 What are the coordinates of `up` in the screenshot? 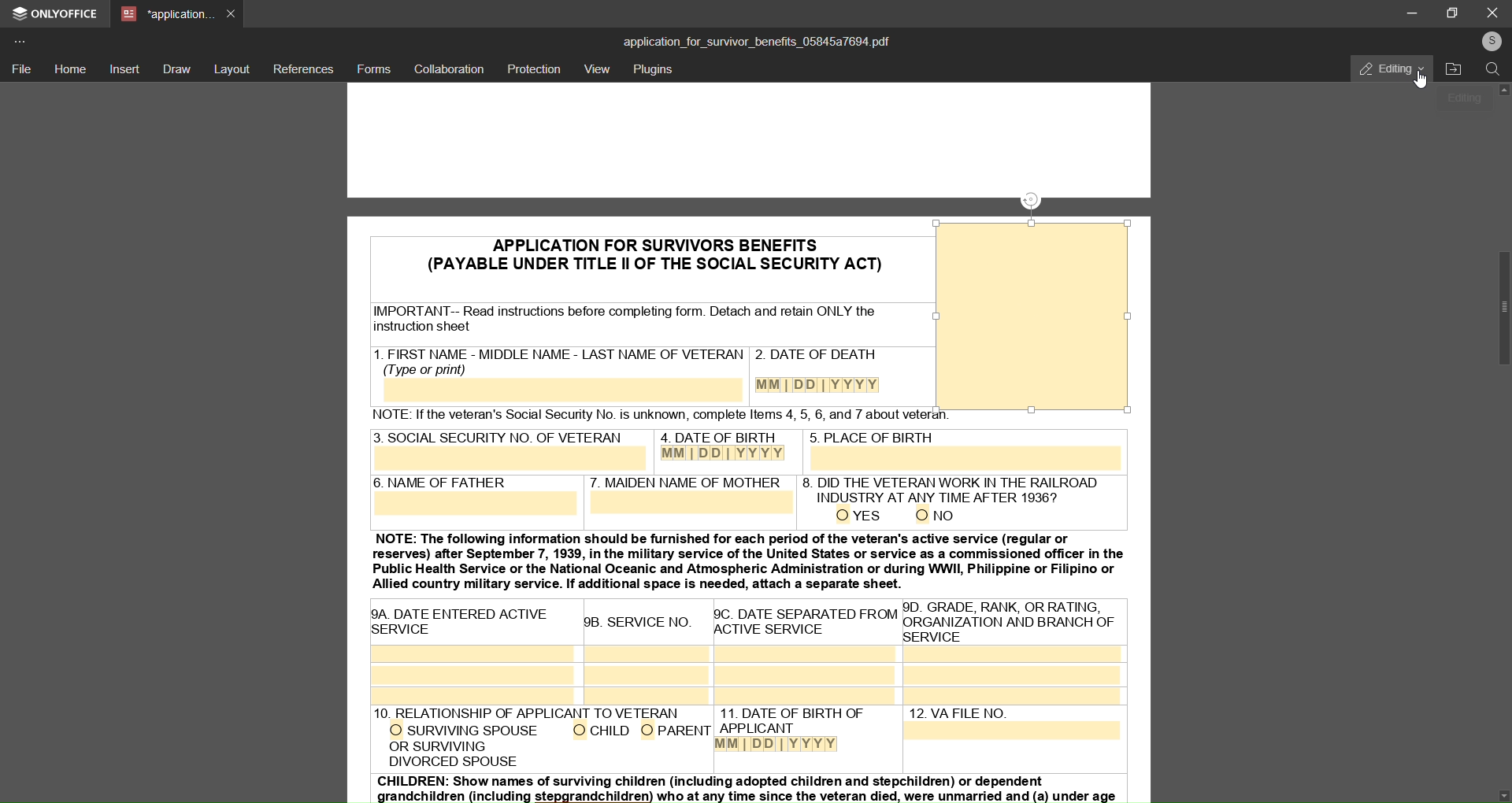 It's located at (1505, 94).